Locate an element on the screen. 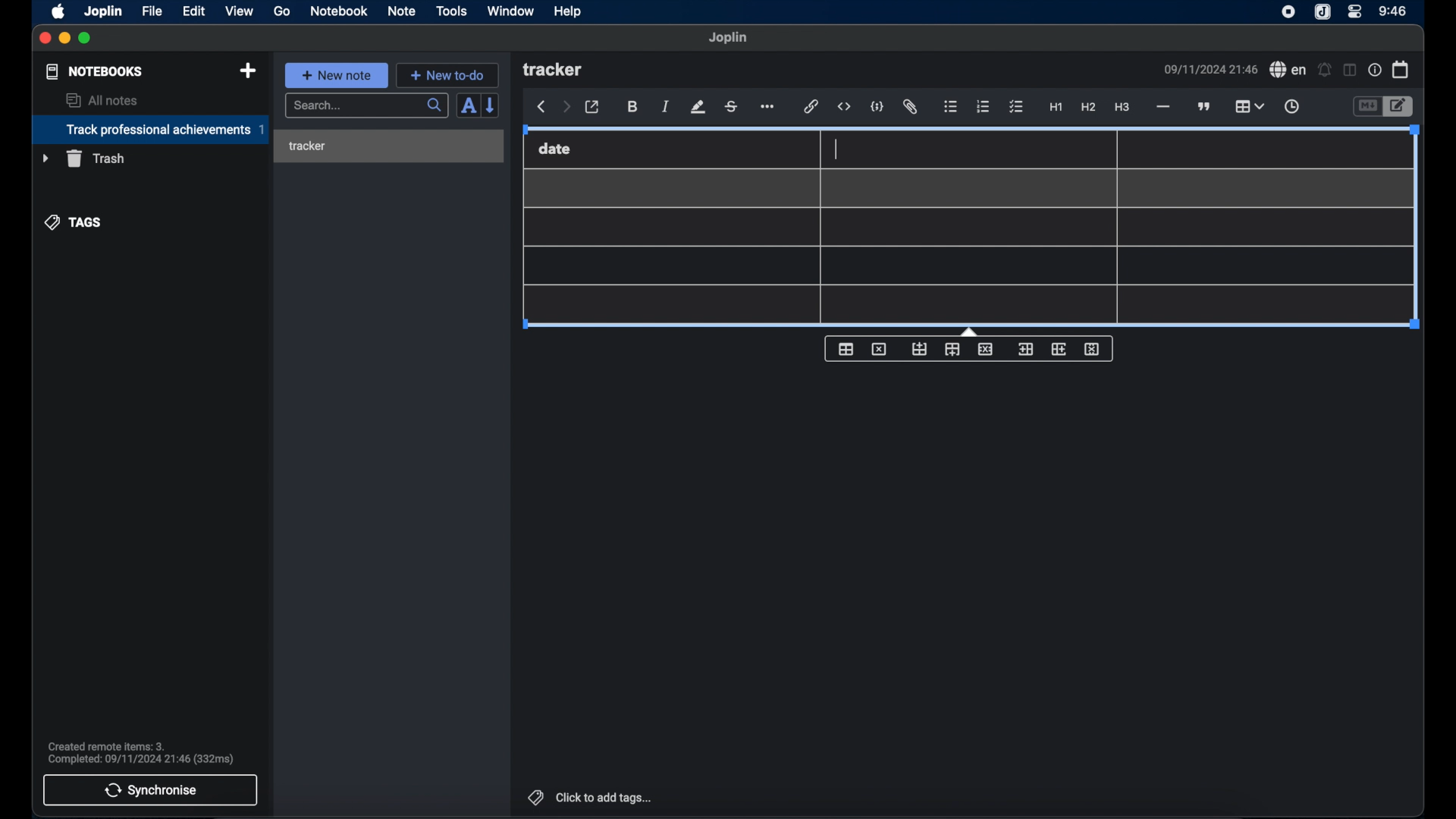  calendar is located at coordinates (1401, 69).